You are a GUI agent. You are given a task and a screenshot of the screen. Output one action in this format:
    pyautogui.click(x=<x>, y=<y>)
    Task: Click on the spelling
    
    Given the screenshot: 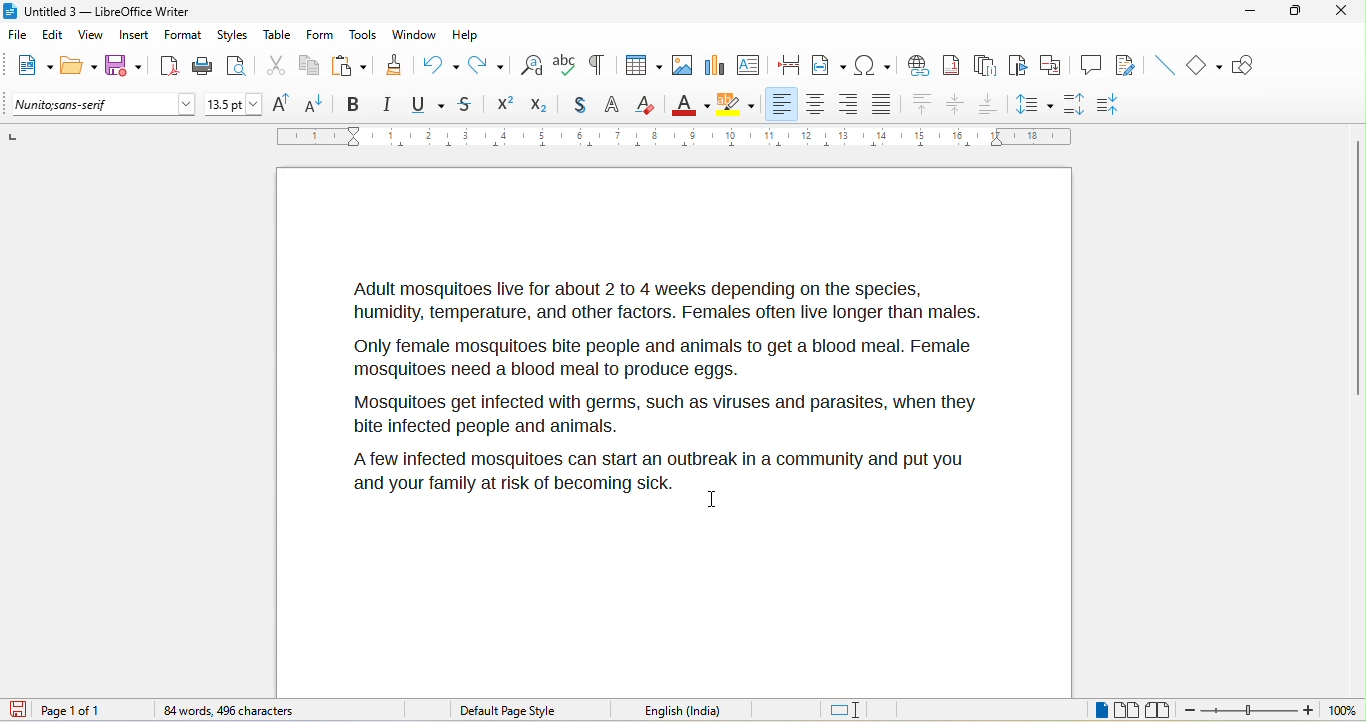 What is the action you would take?
    pyautogui.click(x=565, y=63)
    